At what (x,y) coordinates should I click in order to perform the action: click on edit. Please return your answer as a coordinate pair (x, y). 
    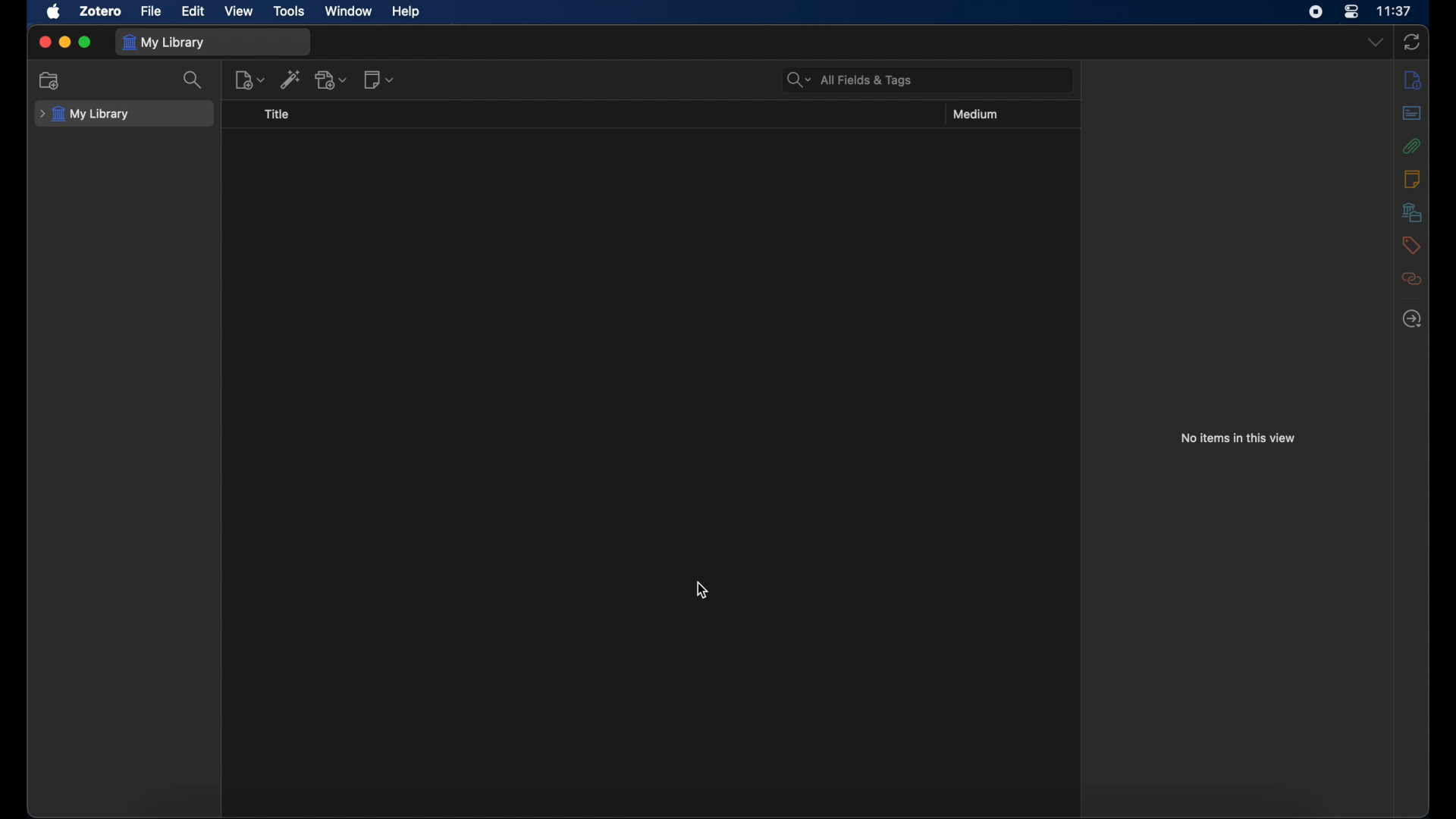
    Looking at the image, I should click on (193, 11).